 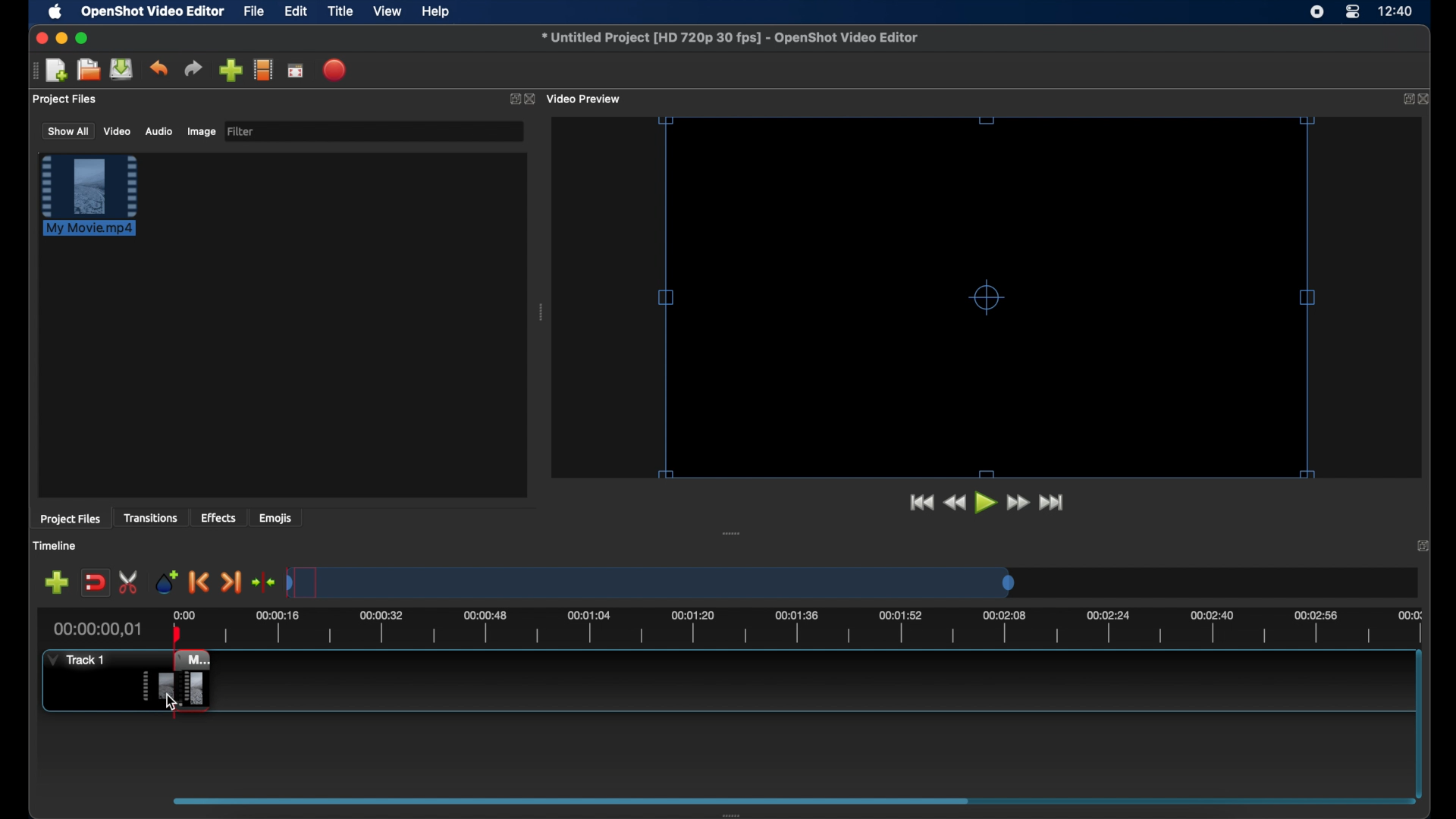 What do you see at coordinates (71, 519) in the screenshot?
I see `project files` at bounding box center [71, 519].